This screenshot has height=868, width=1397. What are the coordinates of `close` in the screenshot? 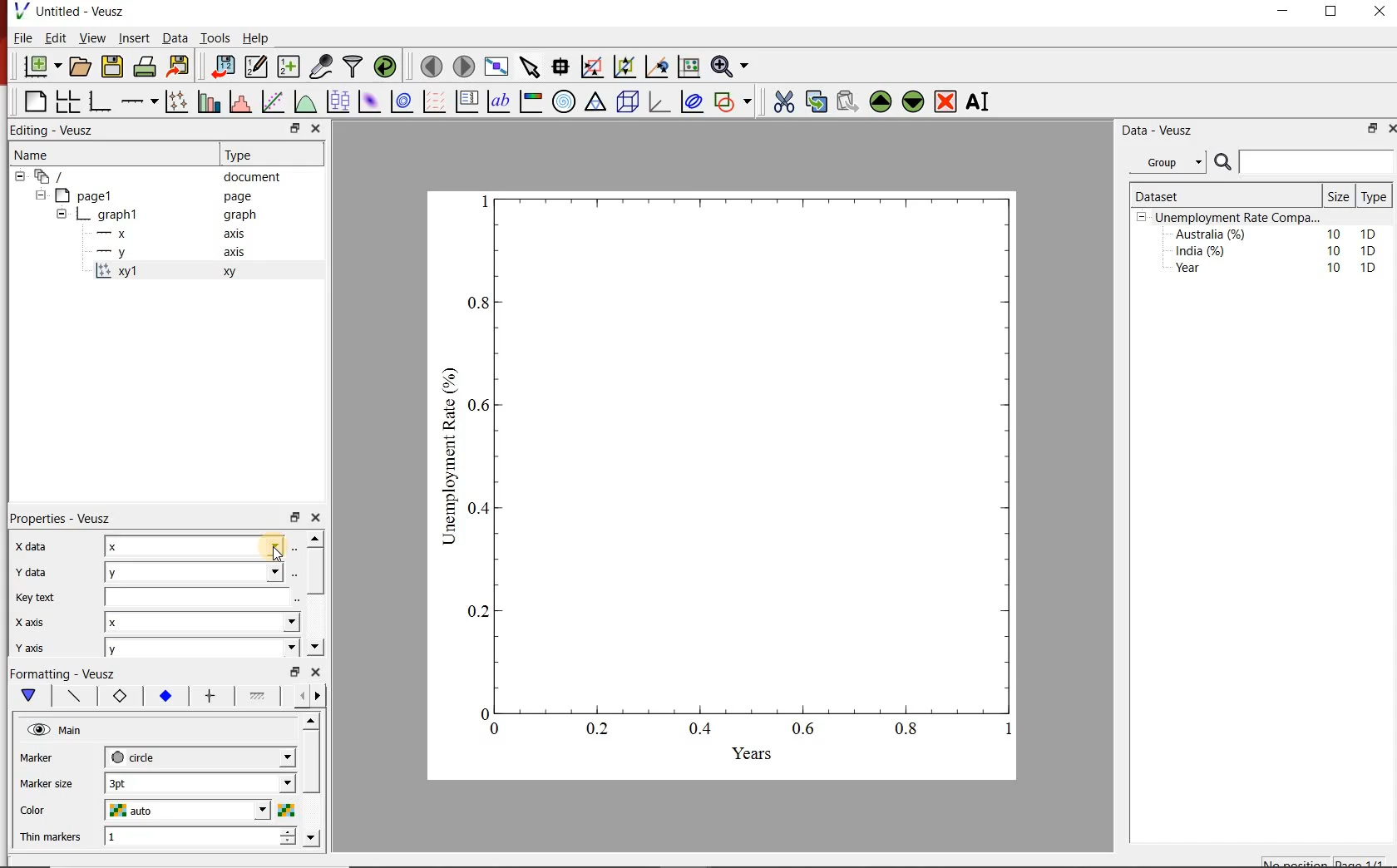 It's located at (1392, 127).